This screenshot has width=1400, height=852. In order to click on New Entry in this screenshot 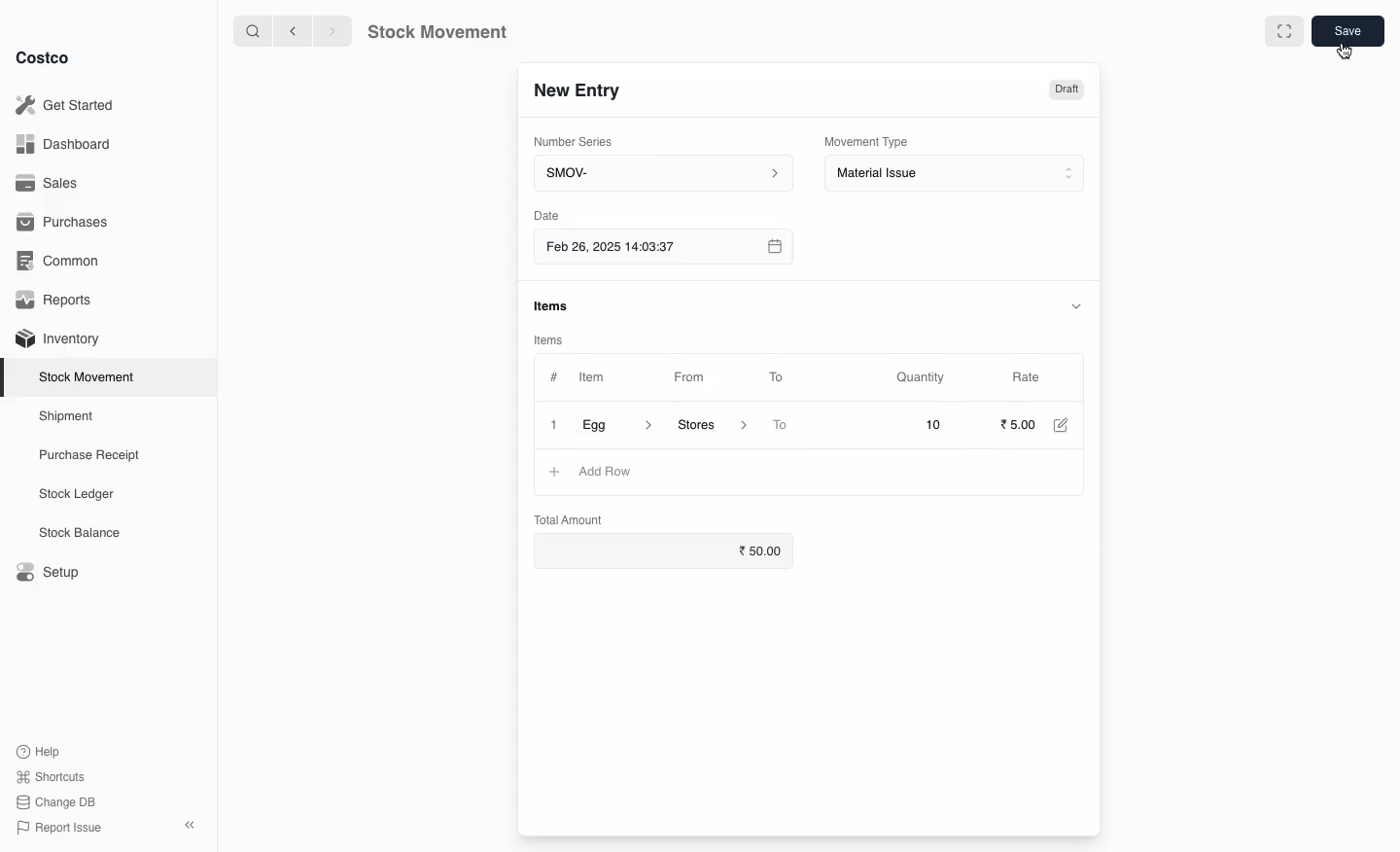, I will do `click(579, 94)`.